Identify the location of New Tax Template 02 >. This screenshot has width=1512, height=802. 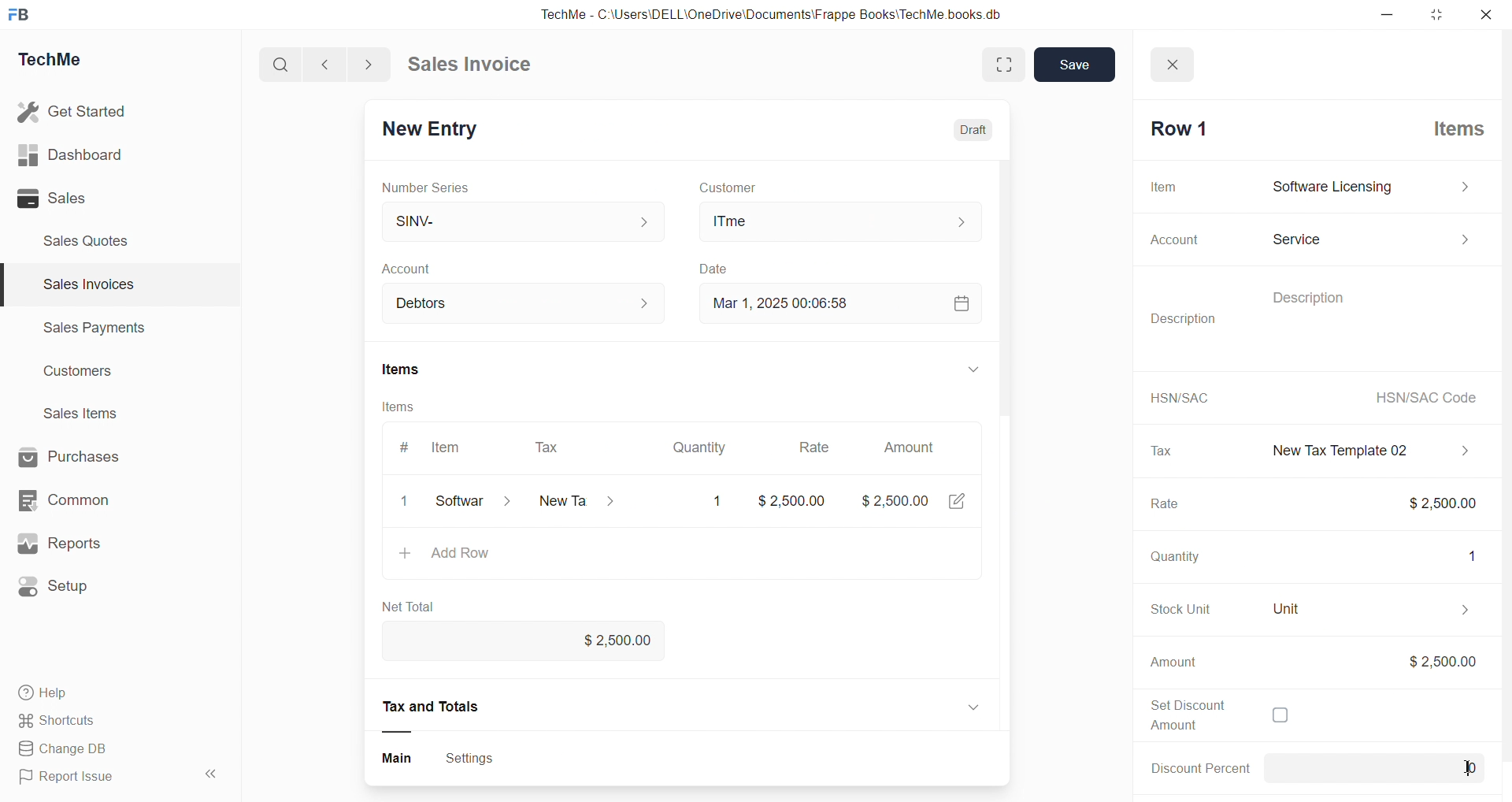
(1362, 448).